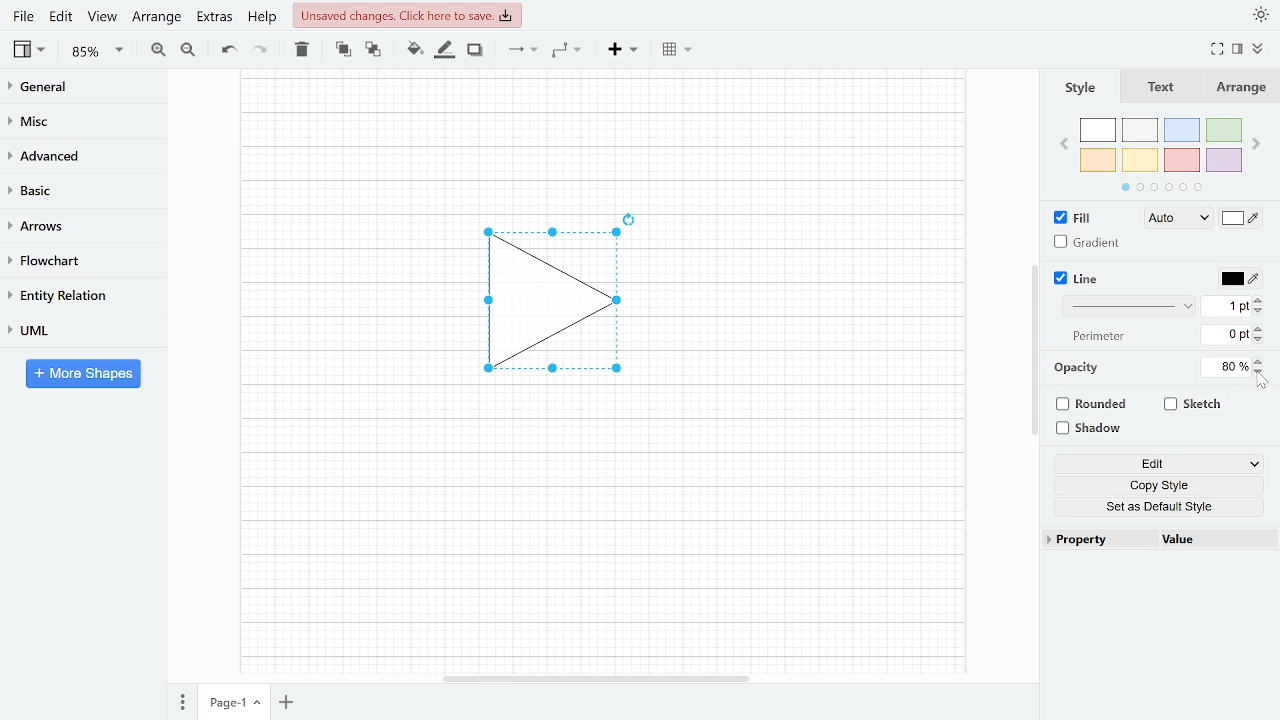 Image resolution: width=1280 pixels, height=720 pixels. Describe the element at coordinates (1265, 51) in the screenshot. I see `Collapse` at that location.